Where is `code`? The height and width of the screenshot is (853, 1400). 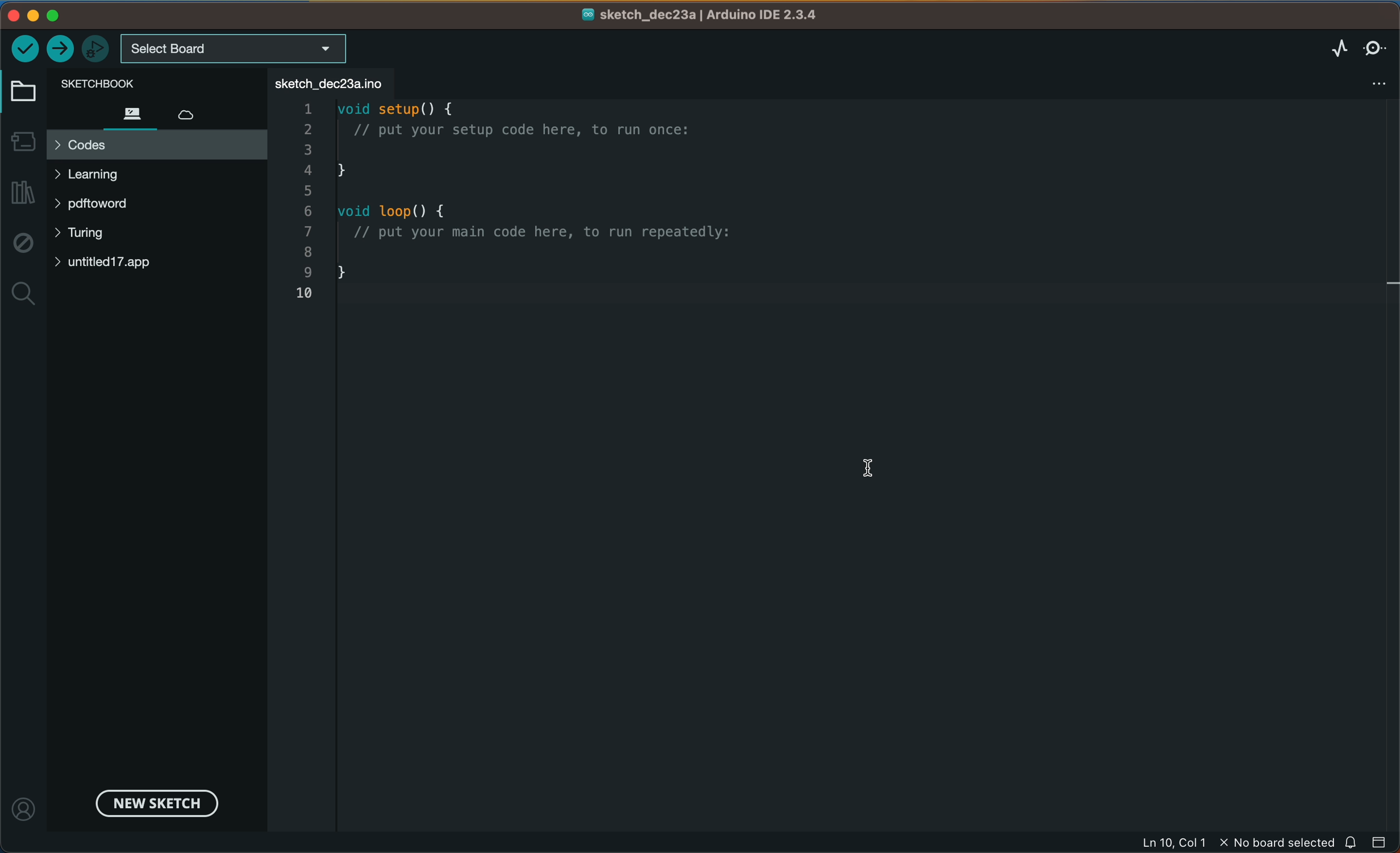 code is located at coordinates (574, 212).